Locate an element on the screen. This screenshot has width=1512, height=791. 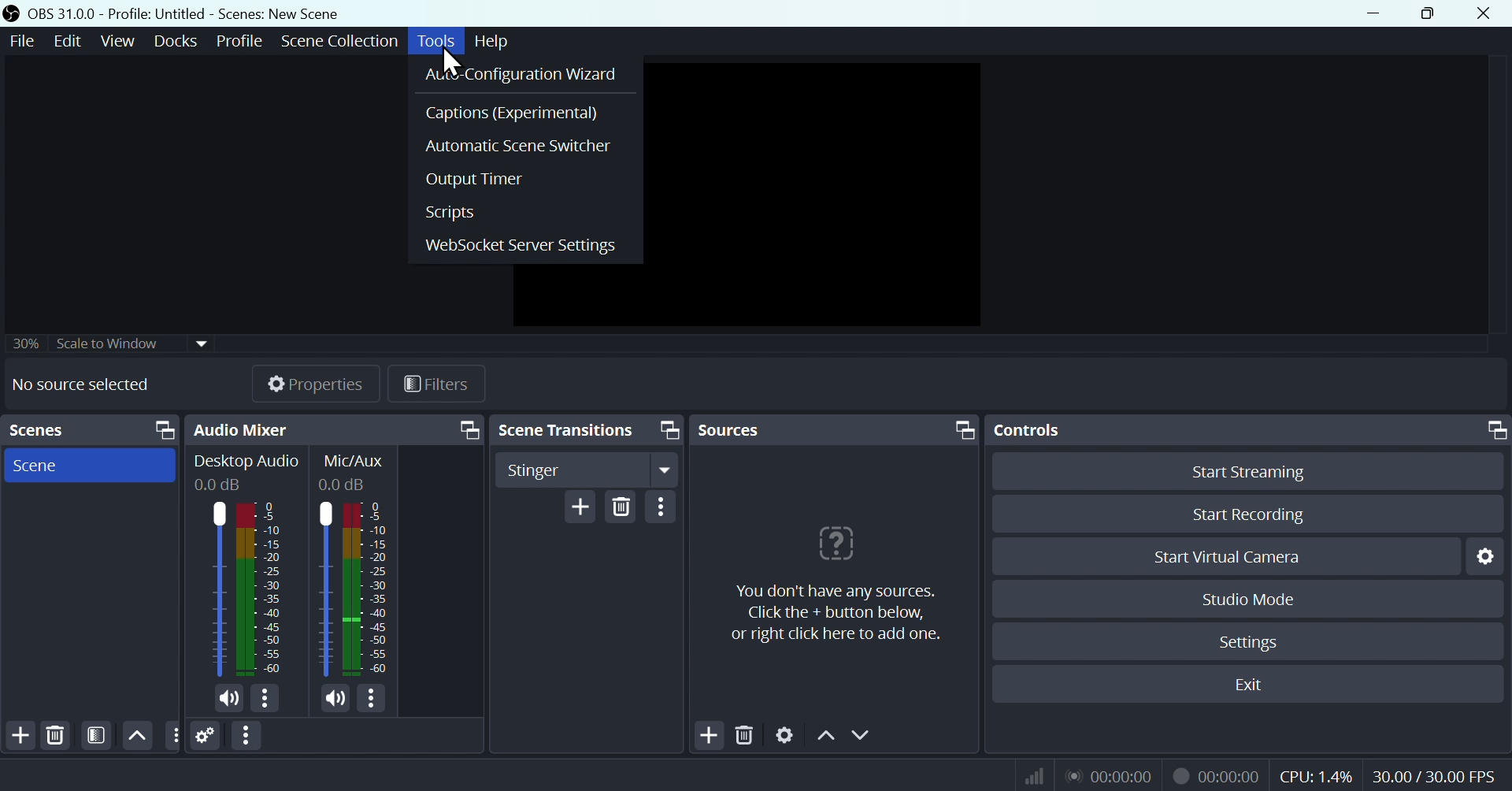
Add is located at coordinates (707, 733).